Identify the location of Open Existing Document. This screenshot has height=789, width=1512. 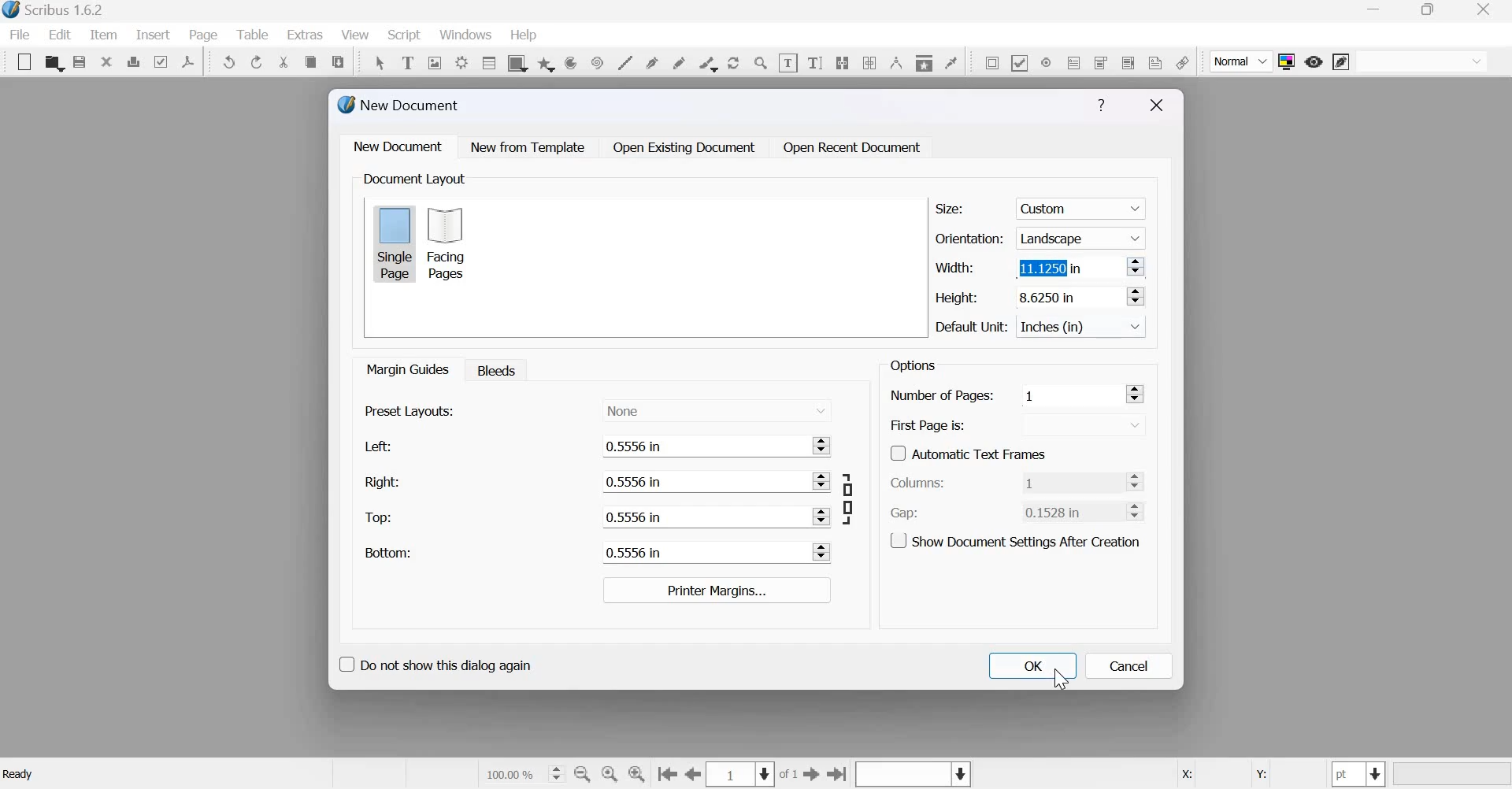
(683, 147).